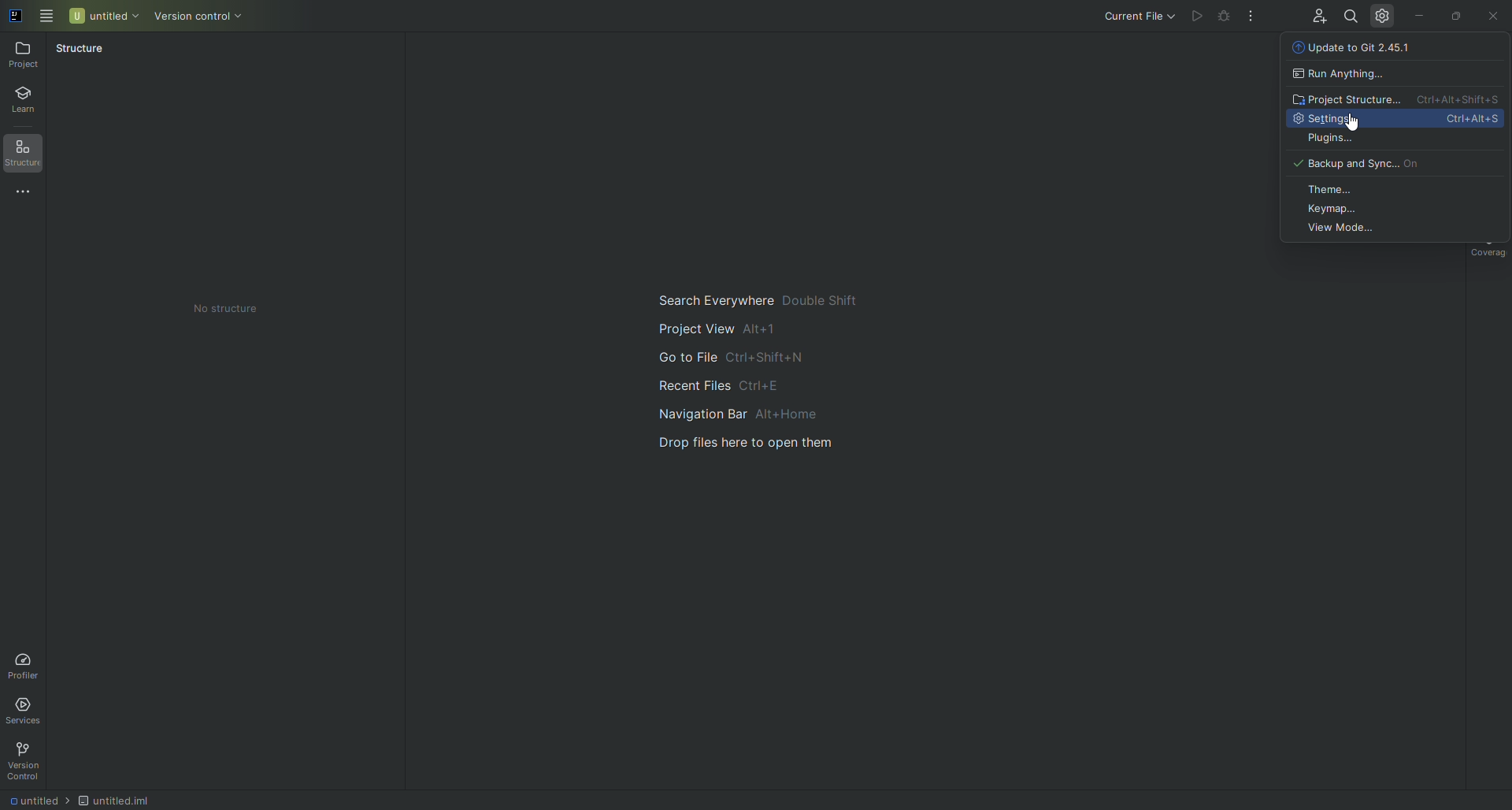 This screenshot has height=810, width=1512. What do you see at coordinates (200, 18) in the screenshot?
I see `Version control` at bounding box center [200, 18].